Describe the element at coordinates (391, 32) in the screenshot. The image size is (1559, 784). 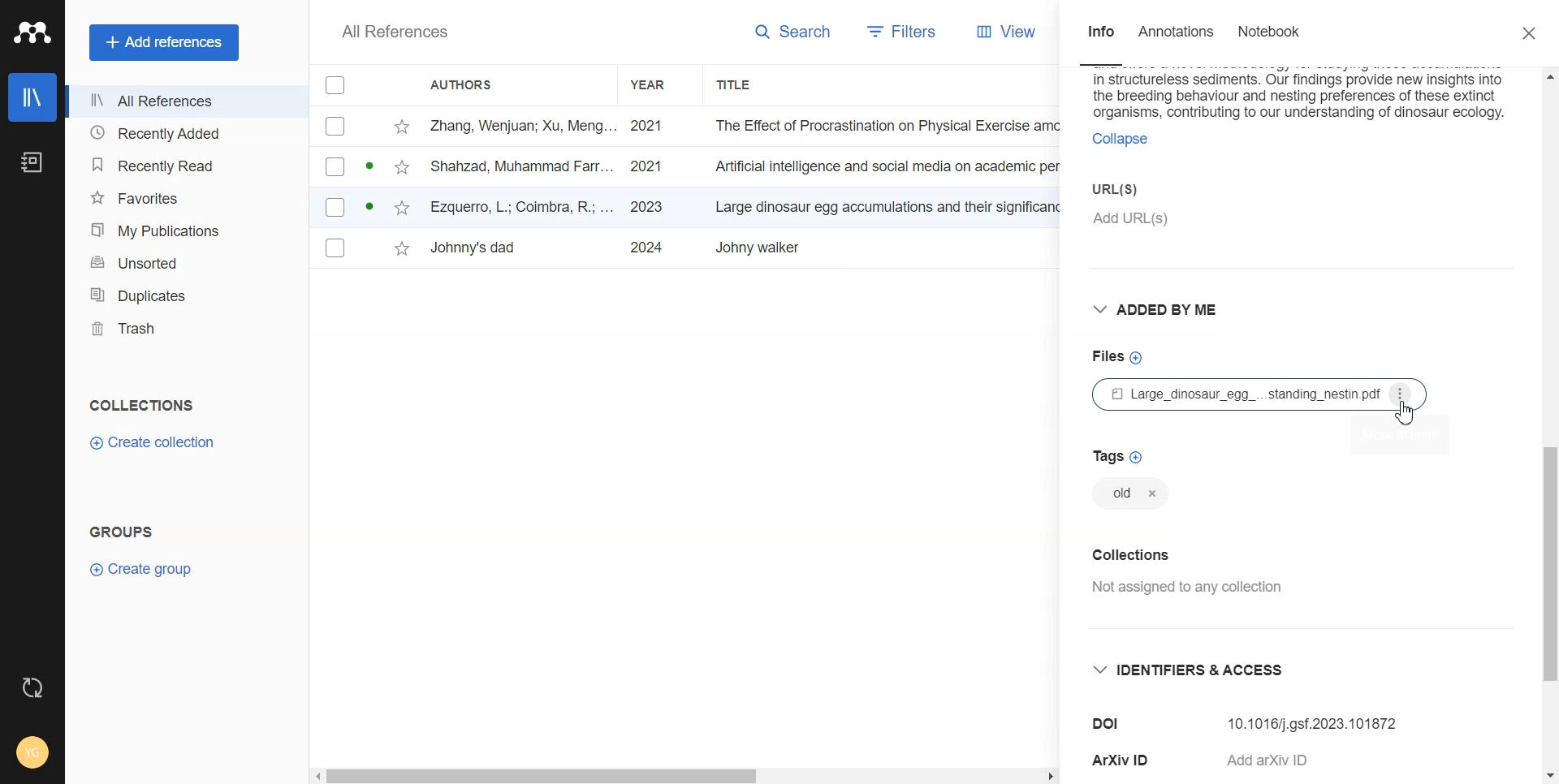
I see `All Reference` at that location.